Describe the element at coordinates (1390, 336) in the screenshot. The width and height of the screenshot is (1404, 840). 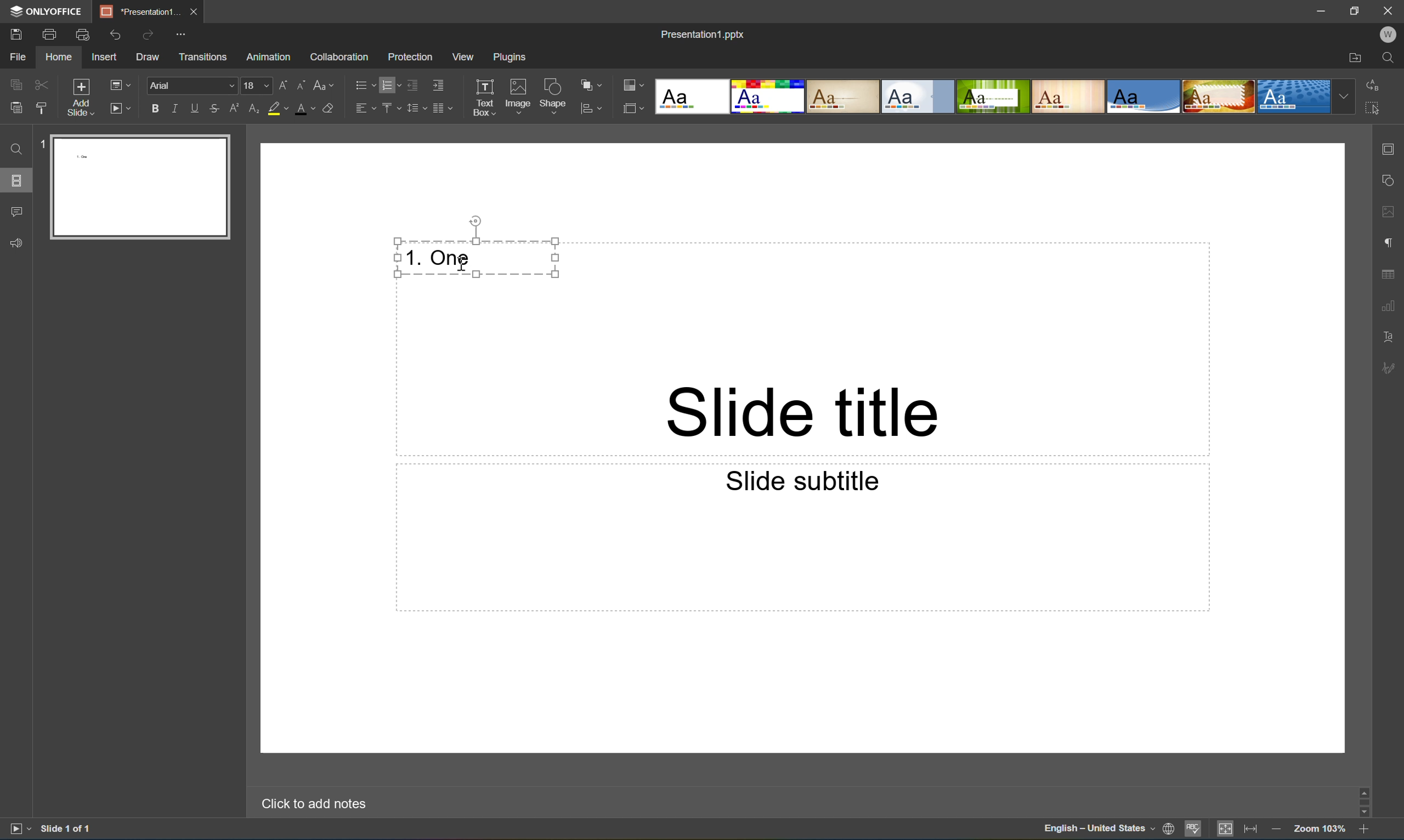
I see `Text art settings` at that location.